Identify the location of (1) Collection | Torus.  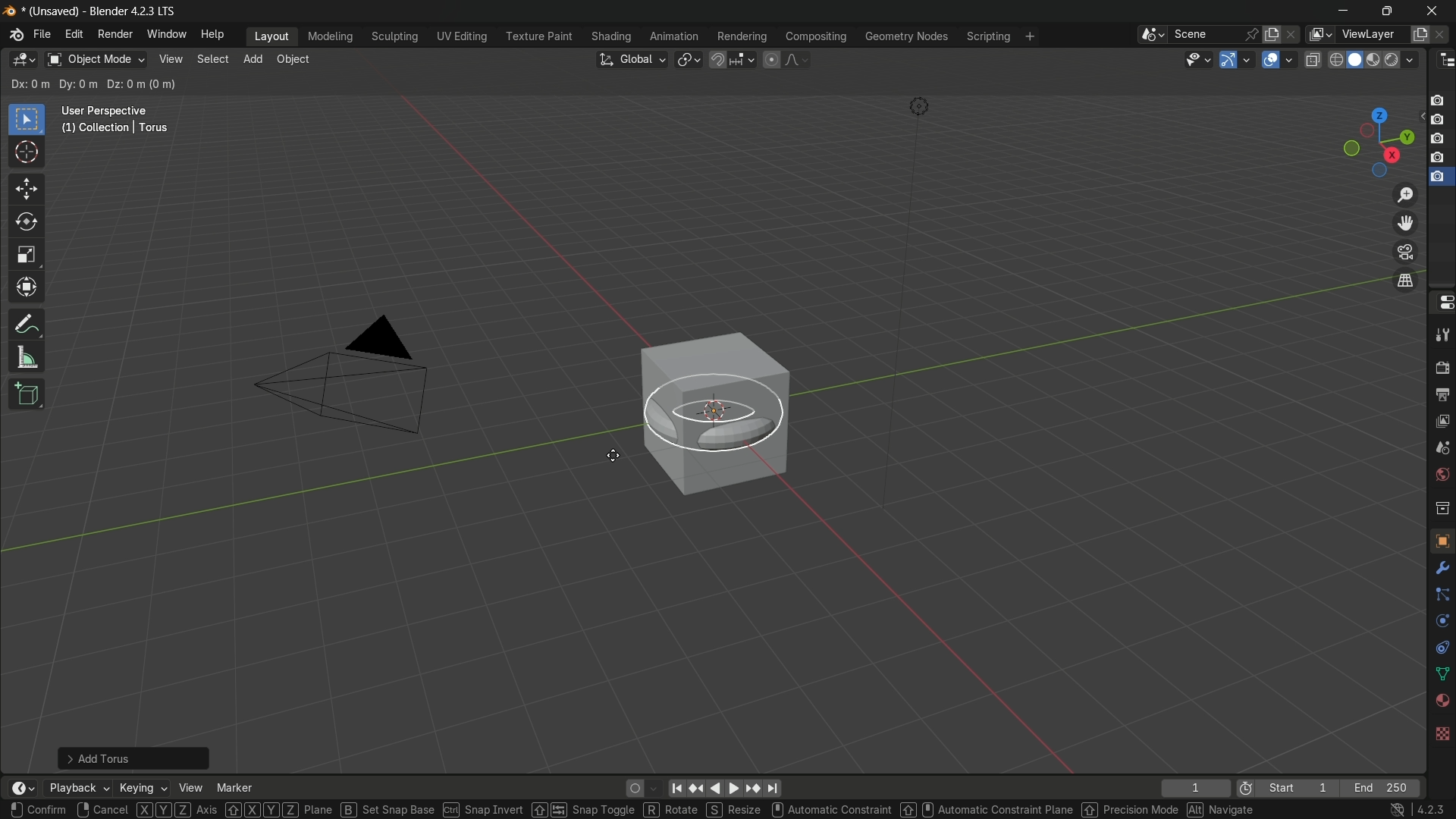
(113, 129).